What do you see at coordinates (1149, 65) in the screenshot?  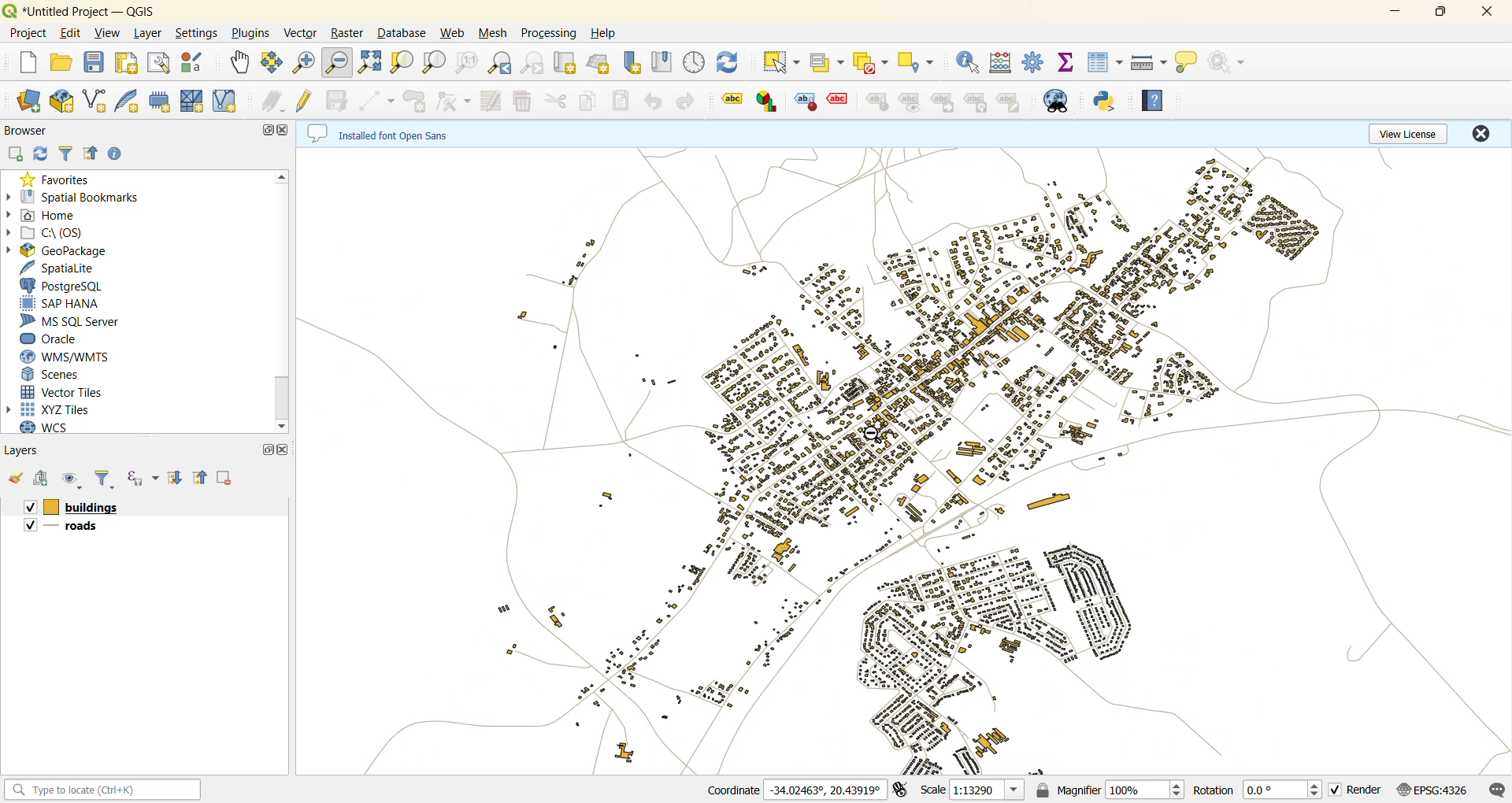 I see `measure line` at bounding box center [1149, 65].